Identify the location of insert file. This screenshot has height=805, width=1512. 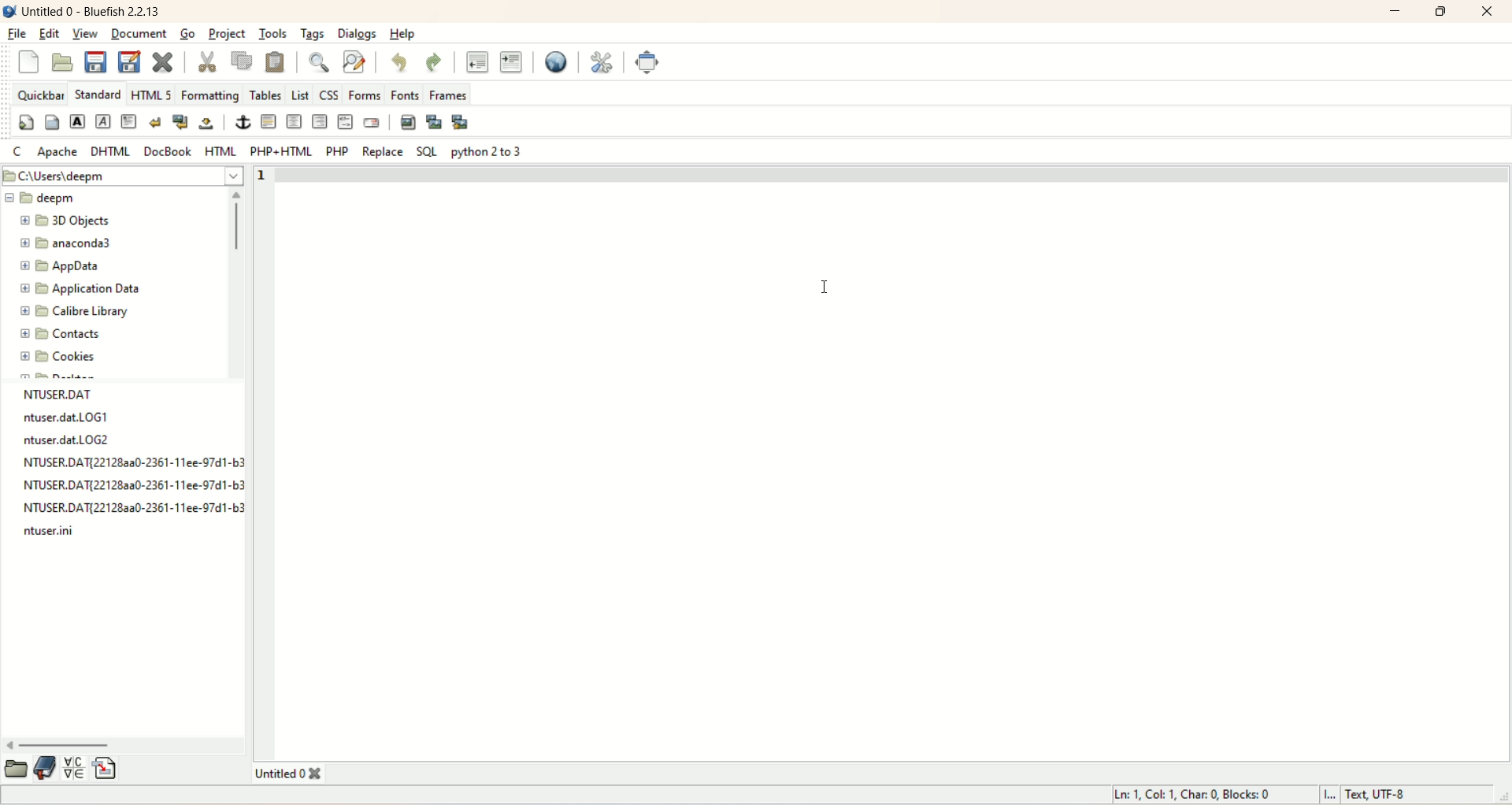
(106, 768).